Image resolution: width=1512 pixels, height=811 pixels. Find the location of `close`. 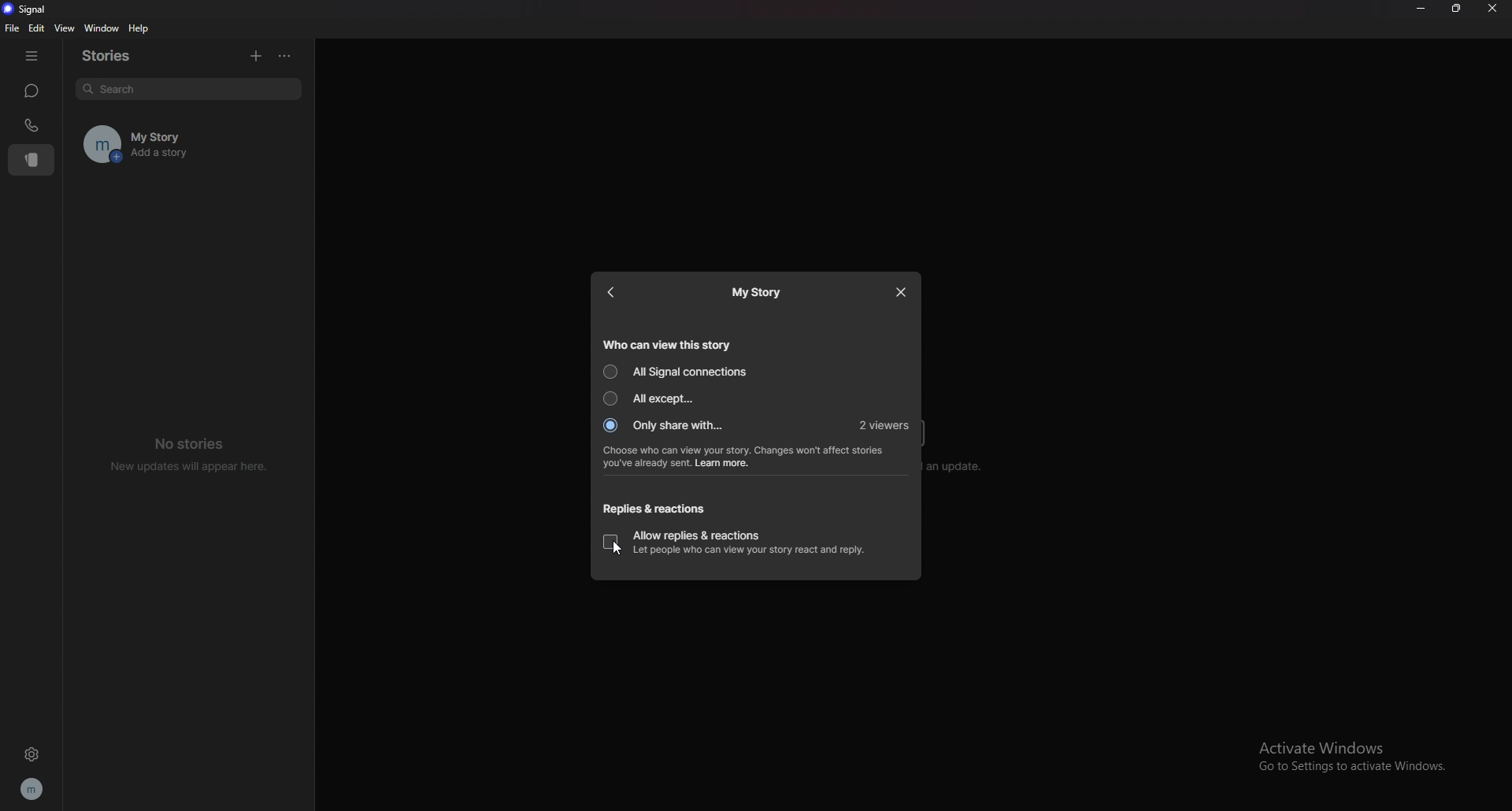

close is located at coordinates (1494, 9).